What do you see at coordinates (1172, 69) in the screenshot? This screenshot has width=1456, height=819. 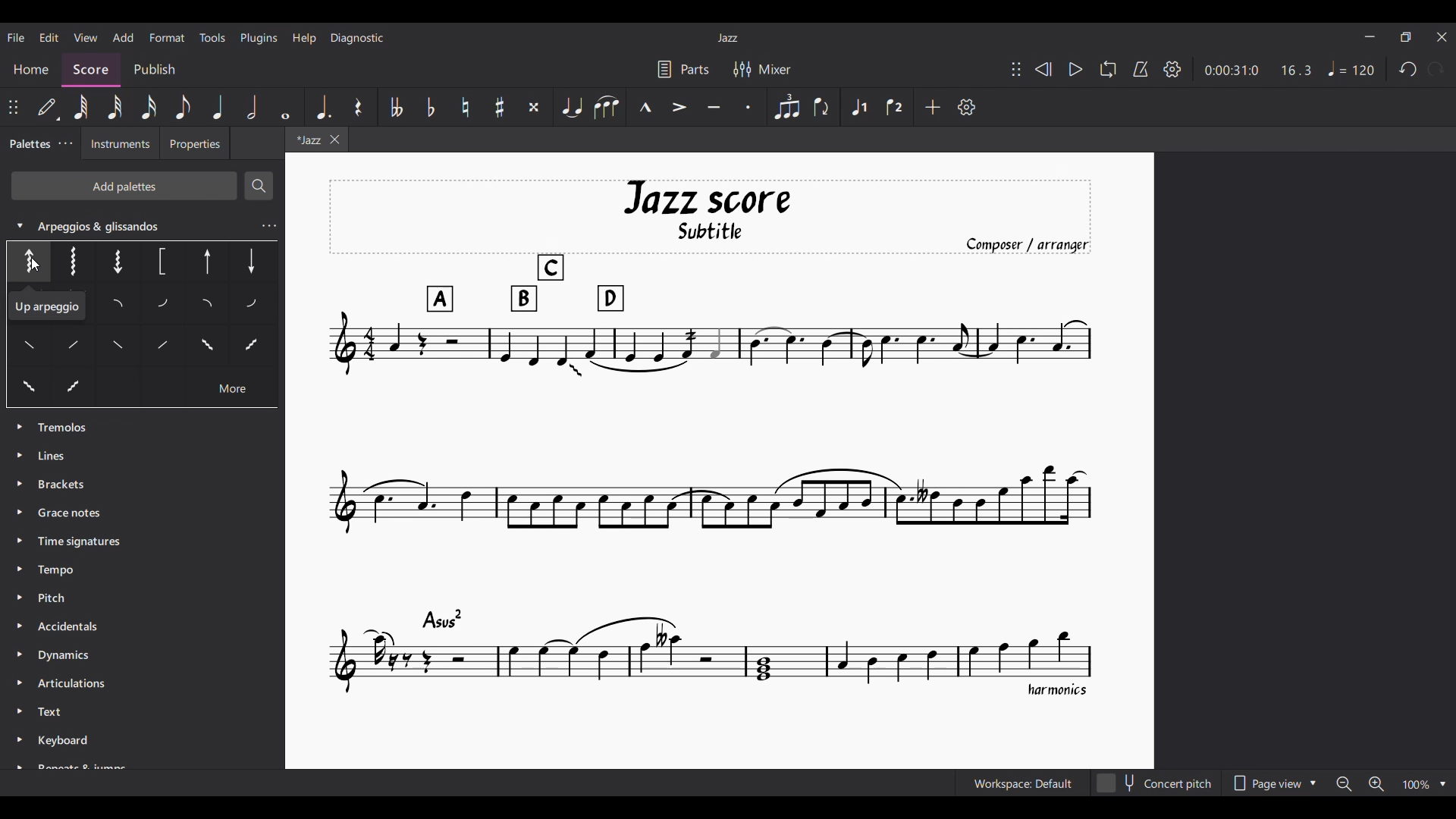 I see `Settings` at bounding box center [1172, 69].